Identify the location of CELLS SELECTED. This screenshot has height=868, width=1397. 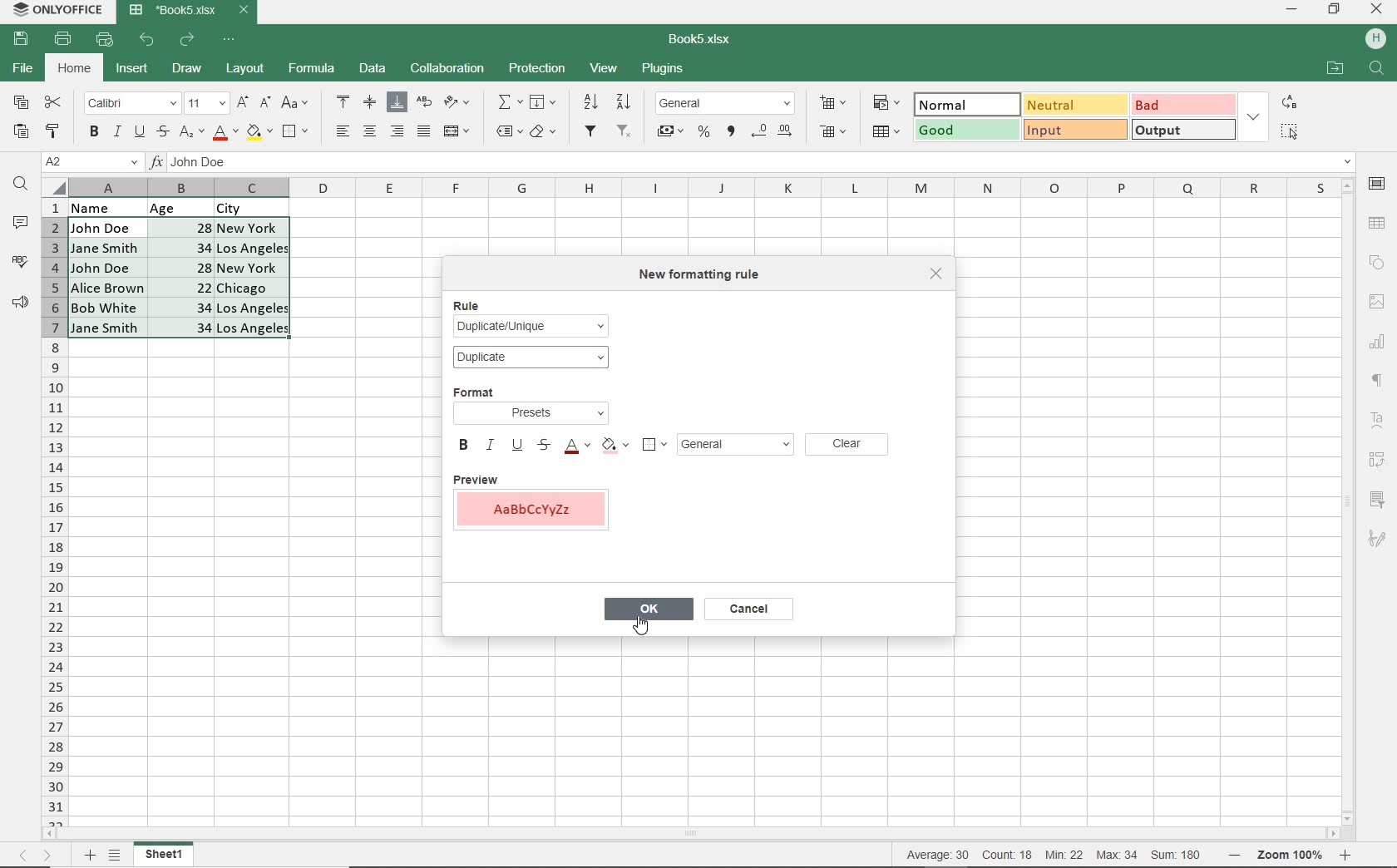
(180, 278).